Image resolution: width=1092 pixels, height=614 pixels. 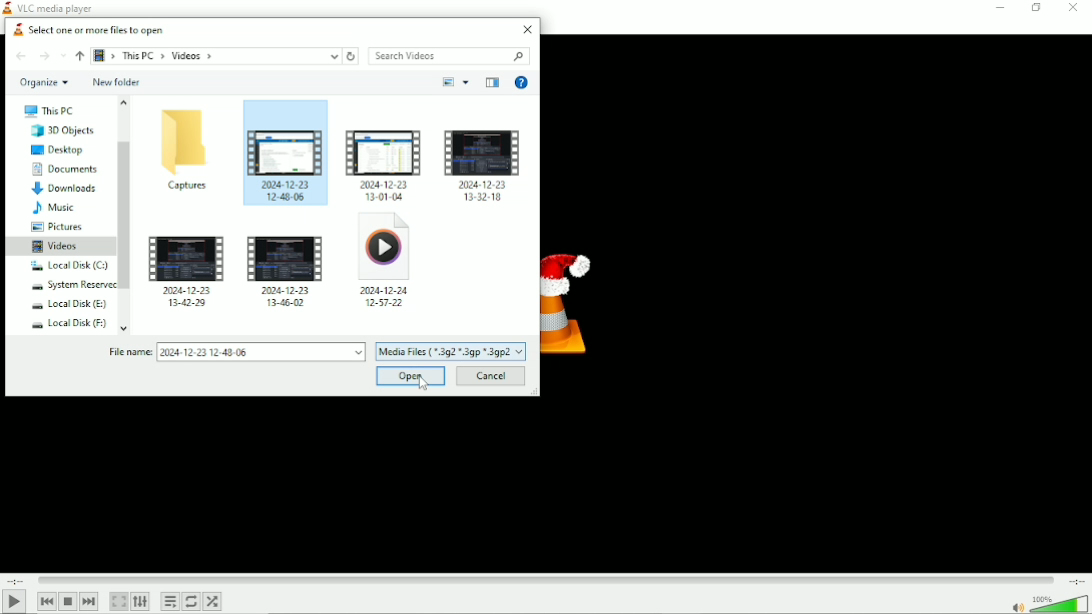 I want to click on Toggle between loop all, loop one and no loop, so click(x=191, y=602).